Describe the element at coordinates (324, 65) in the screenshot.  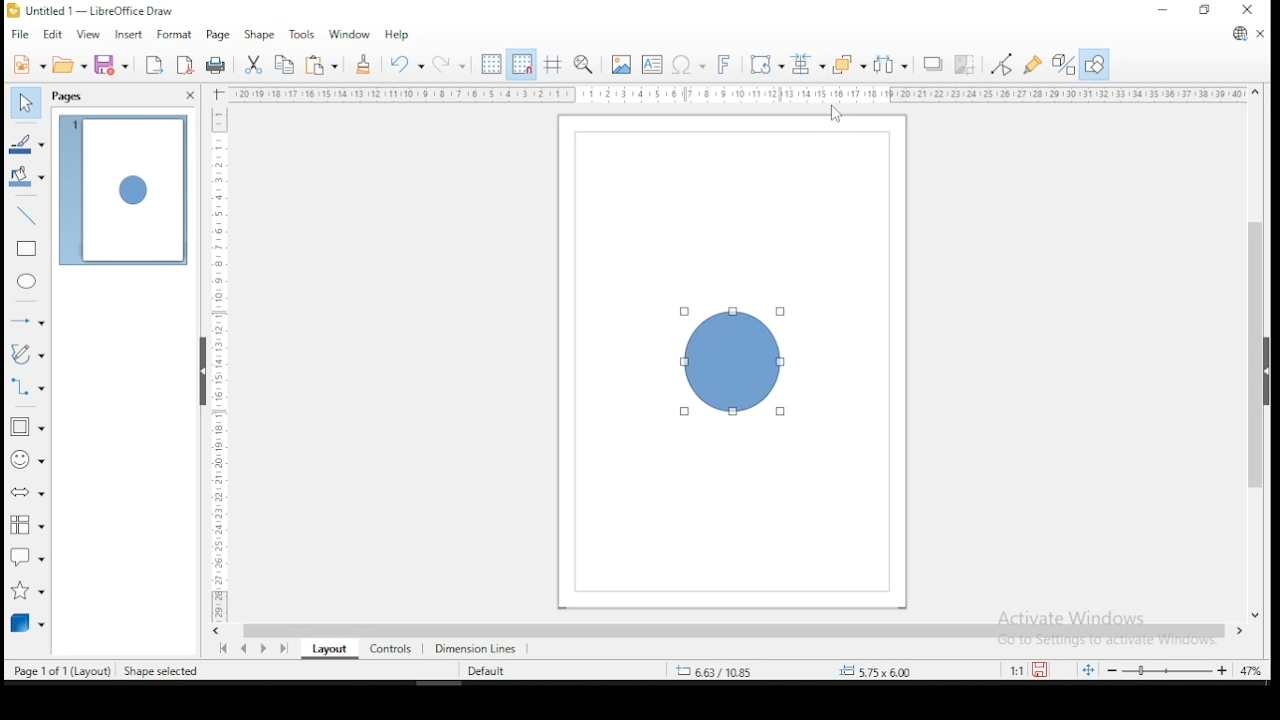
I see `paste` at that location.